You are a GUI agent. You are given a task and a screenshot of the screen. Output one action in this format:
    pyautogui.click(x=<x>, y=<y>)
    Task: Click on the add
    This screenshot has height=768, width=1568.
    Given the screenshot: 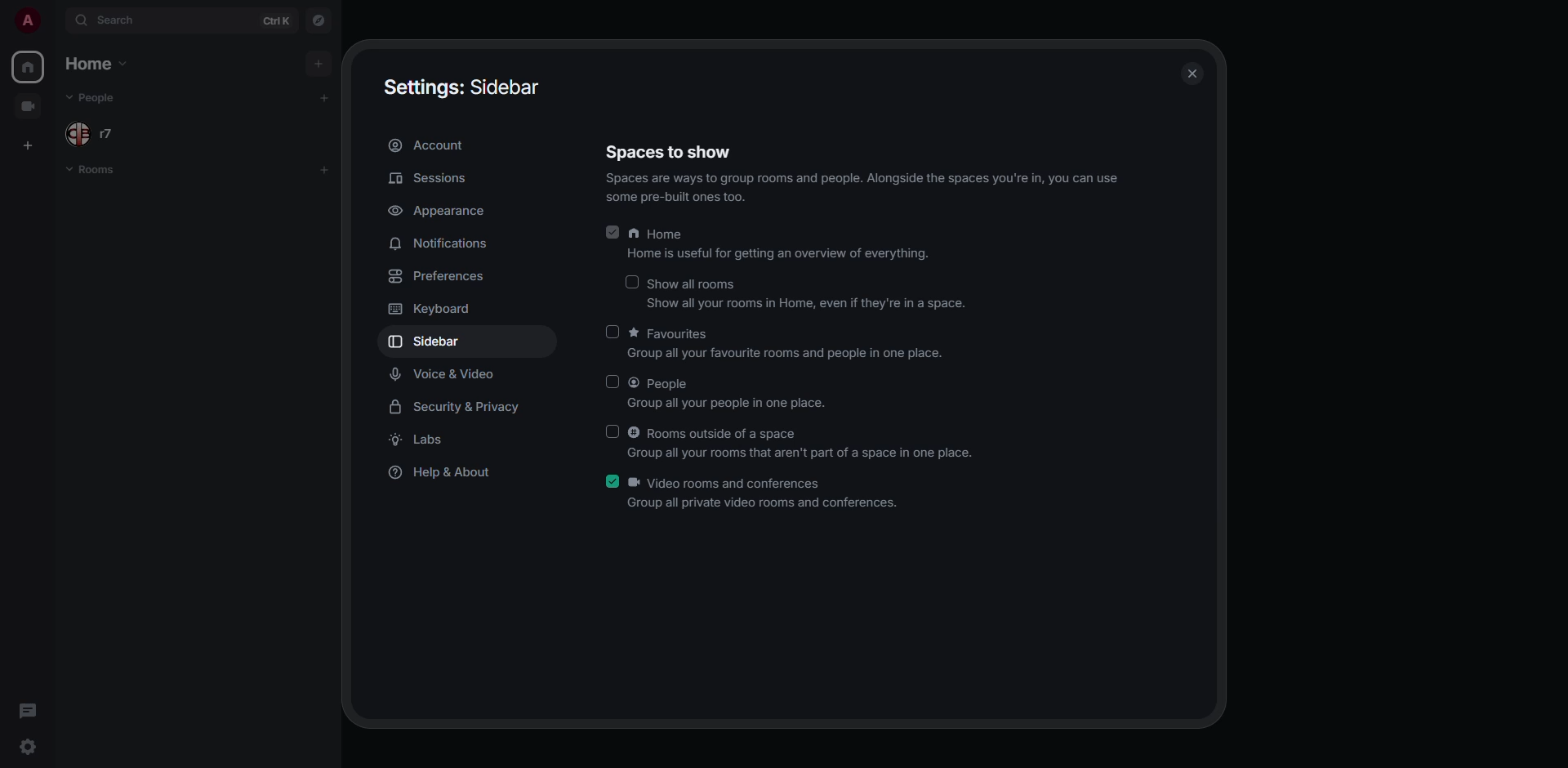 What is the action you would take?
    pyautogui.click(x=325, y=168)
    